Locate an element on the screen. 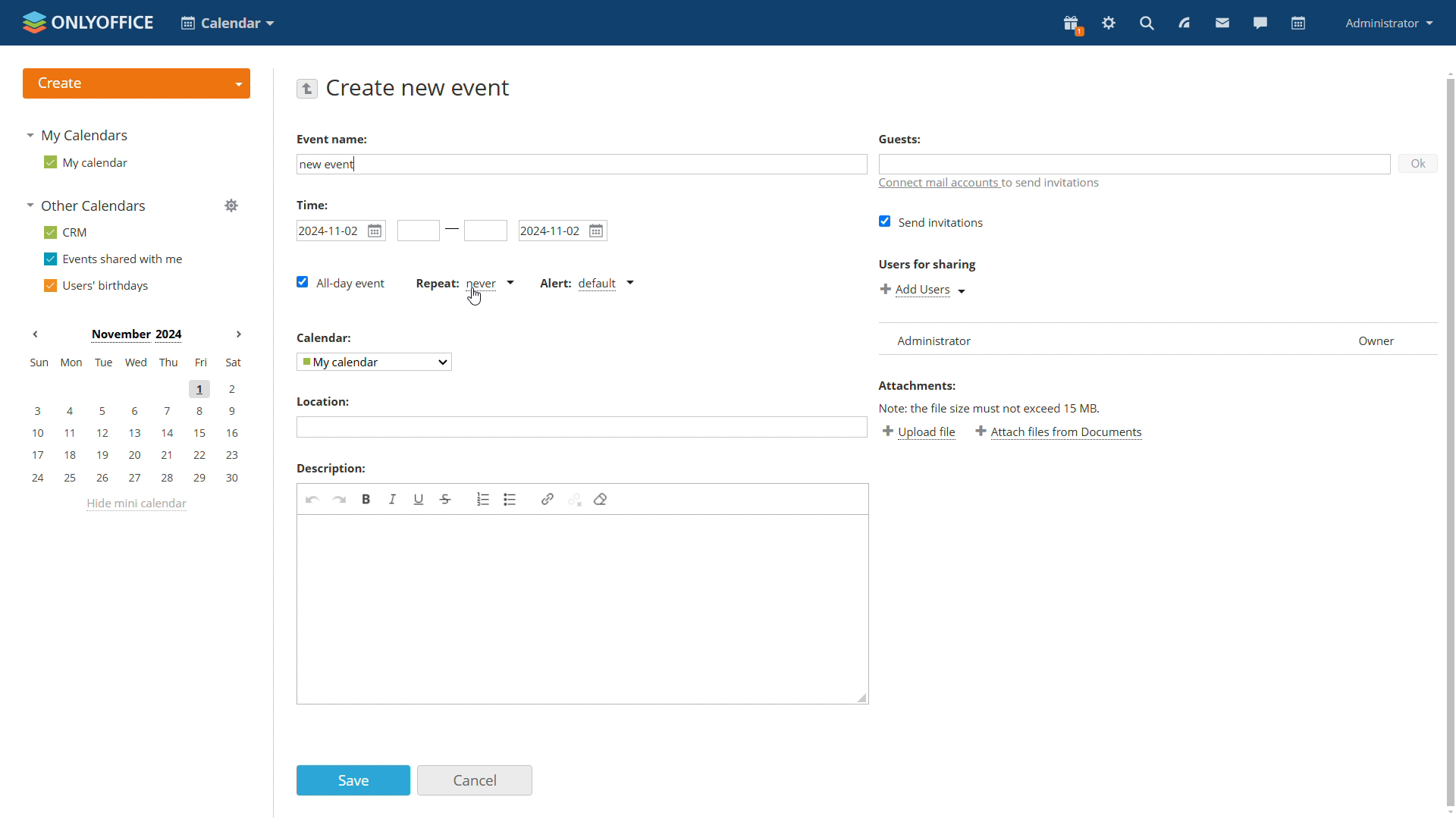  event name set is located at coordinates (334, 165).